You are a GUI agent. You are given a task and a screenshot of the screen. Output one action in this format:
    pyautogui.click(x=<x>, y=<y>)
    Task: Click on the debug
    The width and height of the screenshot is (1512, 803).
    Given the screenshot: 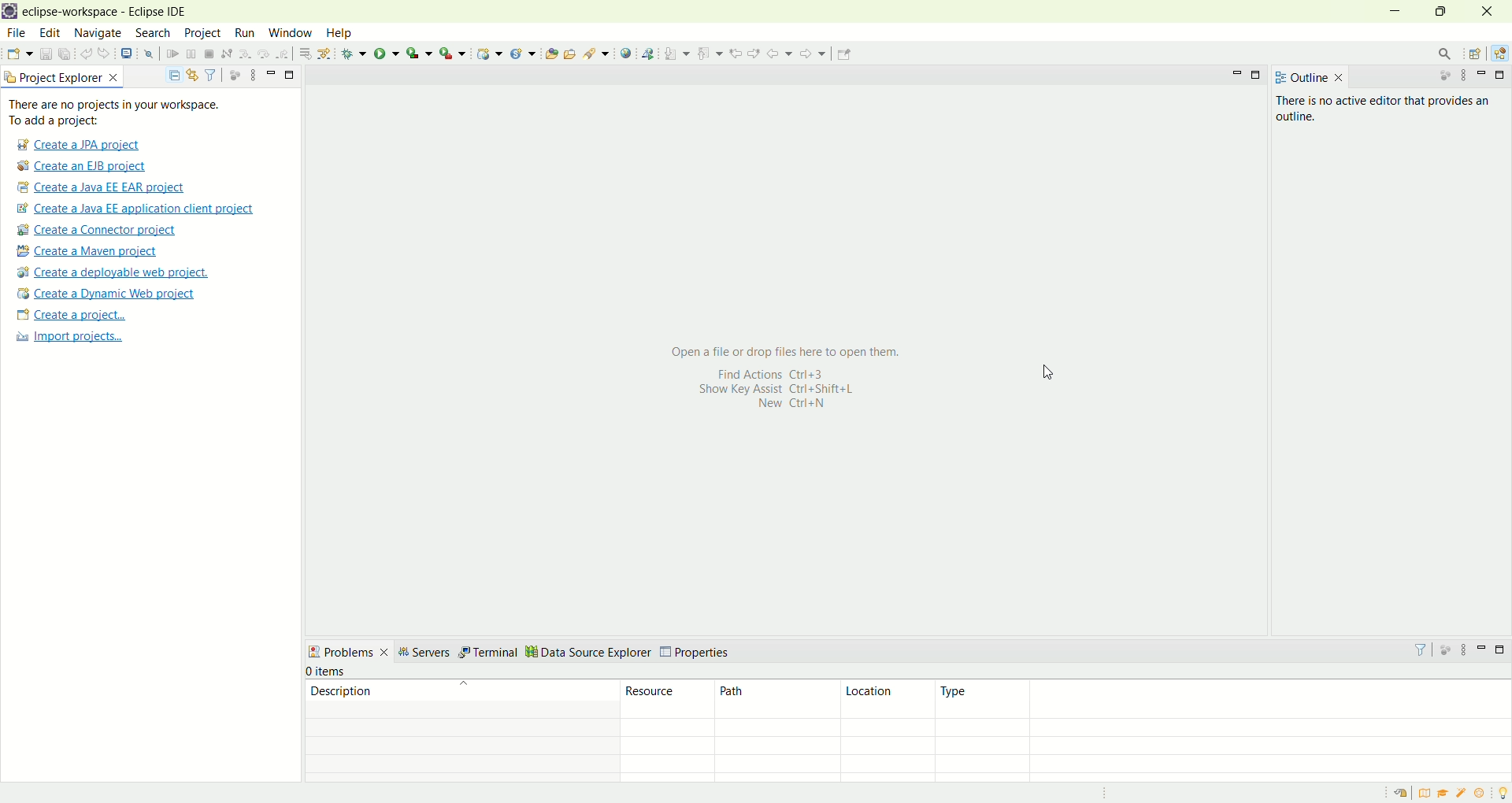 What is the action you would take?
    pyautogui.click(x=354, y=54)
    